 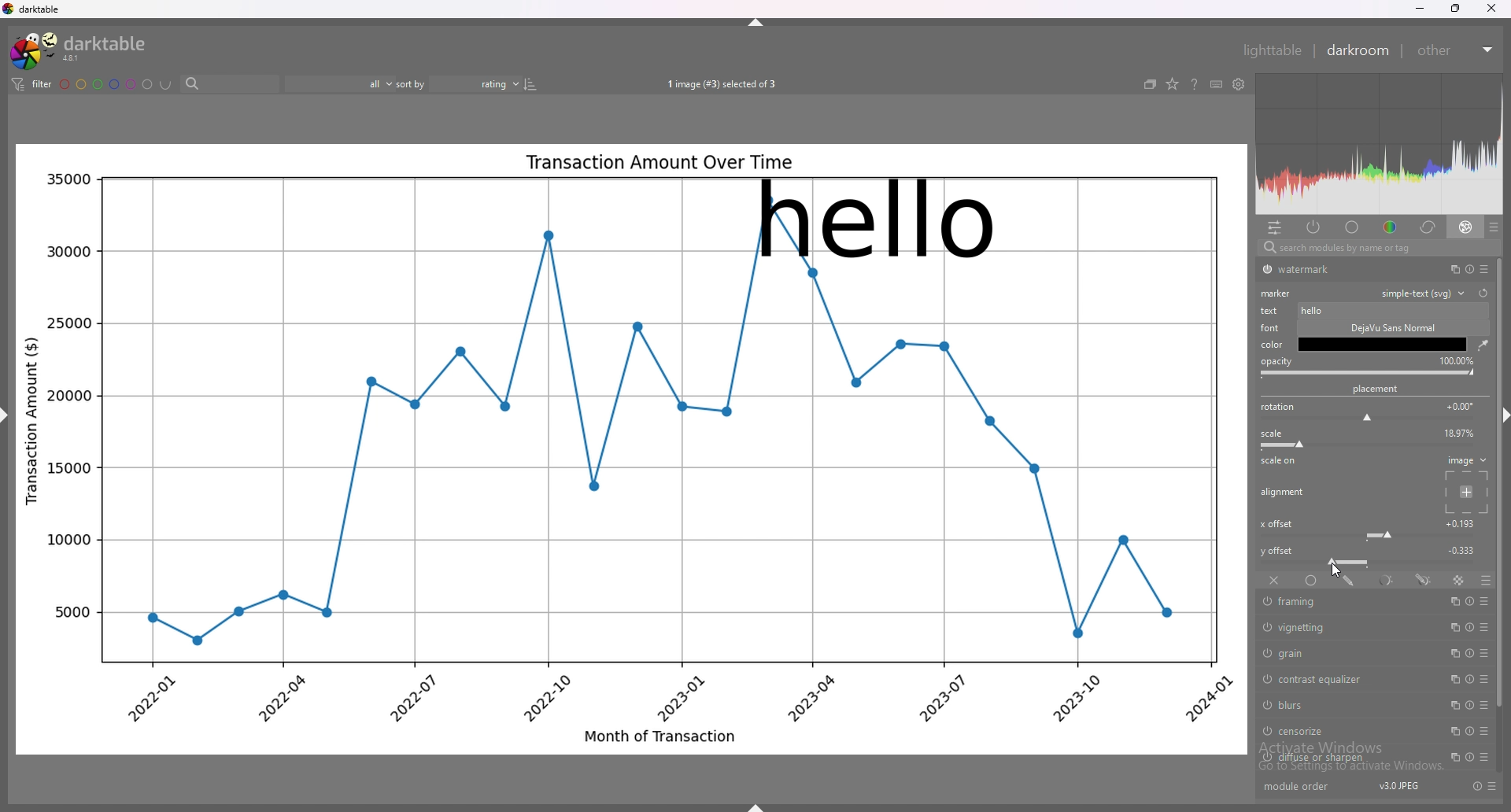 What do you see at coordinates (1457, 360) in the screenshot?
I see `opacity` at bounding box center [1457, 360].